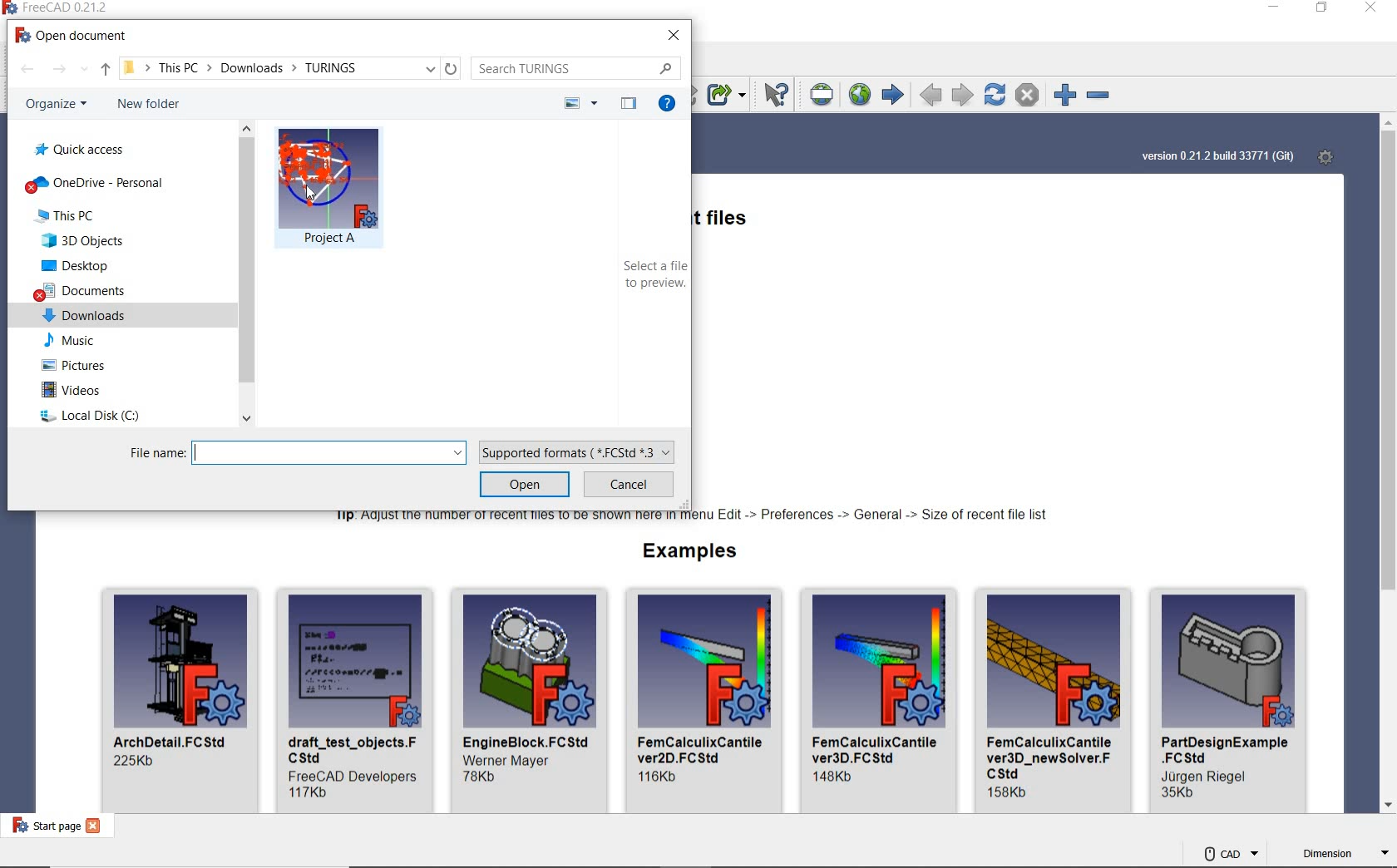 The image size is (1397, 868). What do you see at coordinates (1229, 662) in the screenshot?
I see `image` at bounding box center [1229, 662].